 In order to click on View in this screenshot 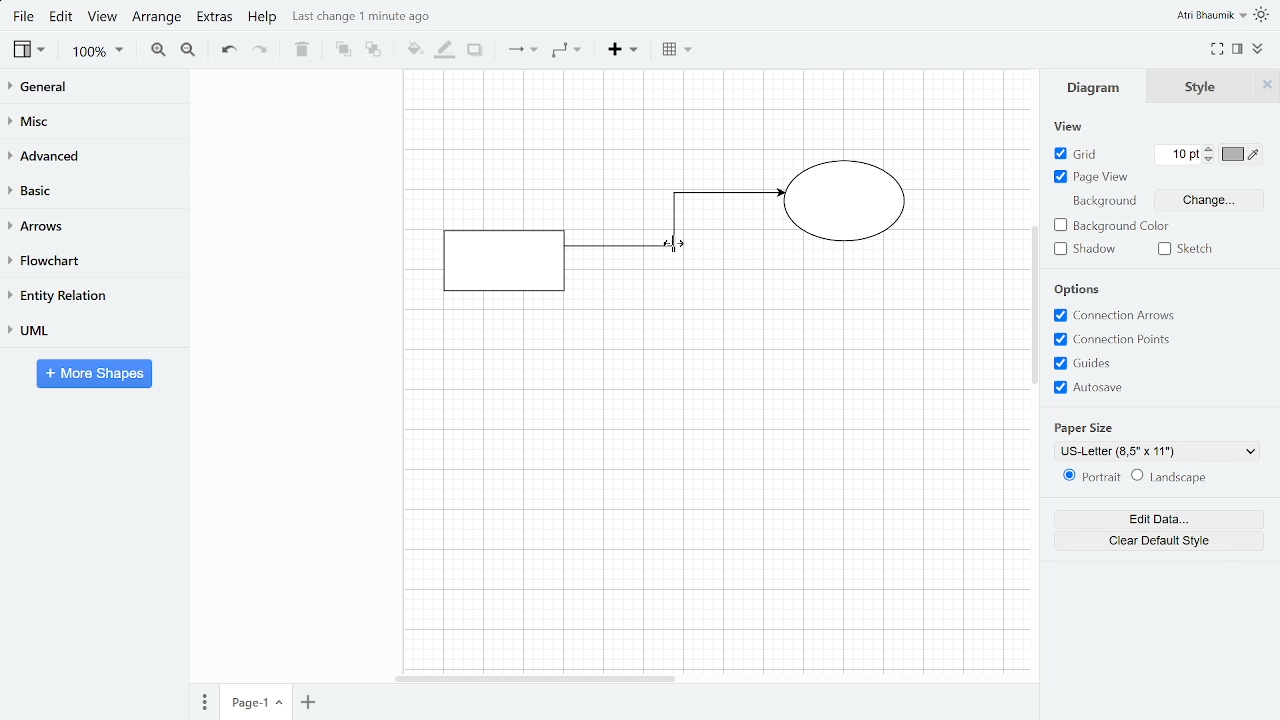, I will do `click(104, 19)`.